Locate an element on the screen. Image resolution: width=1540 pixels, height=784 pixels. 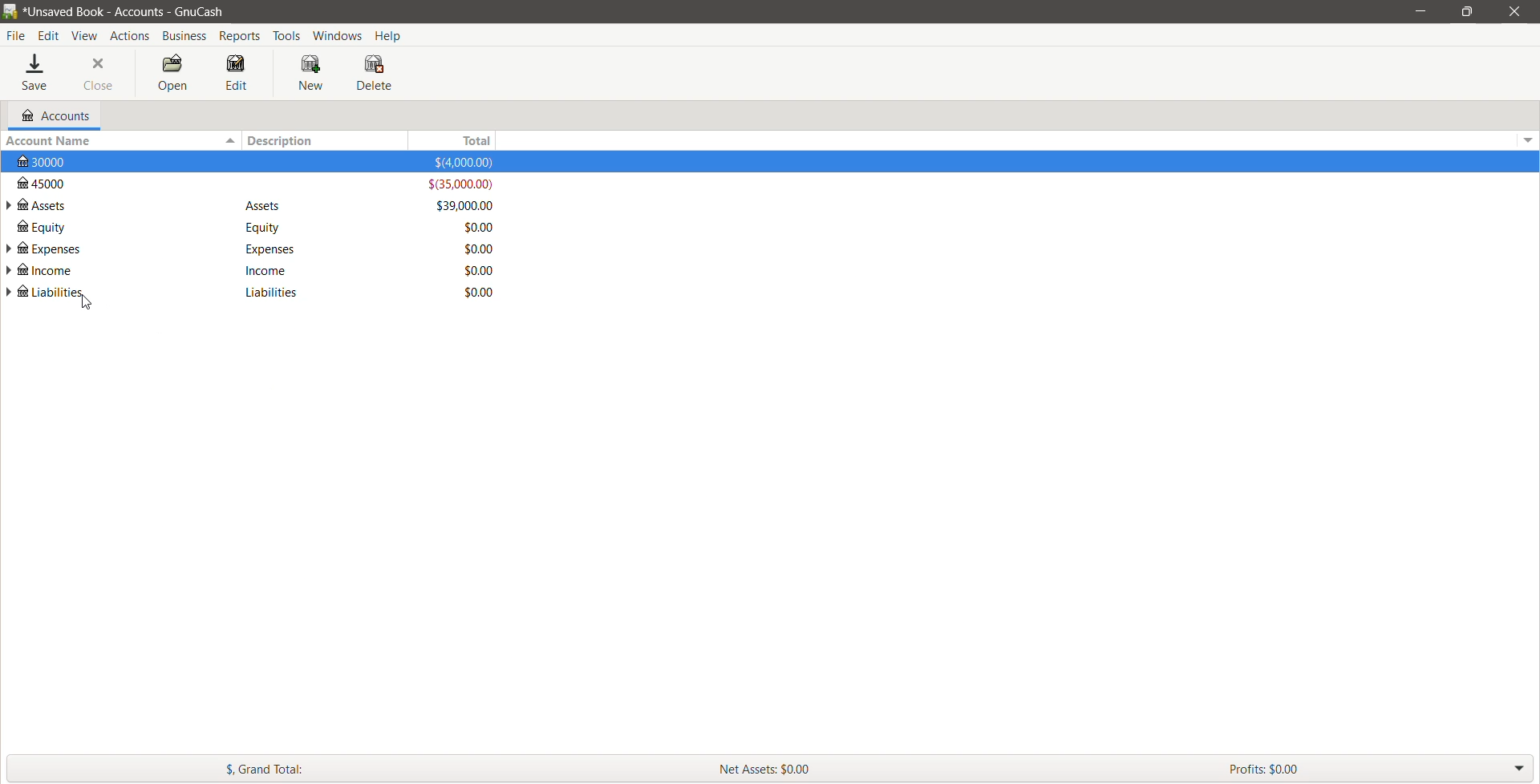
File is located at coordinates (16, 36).